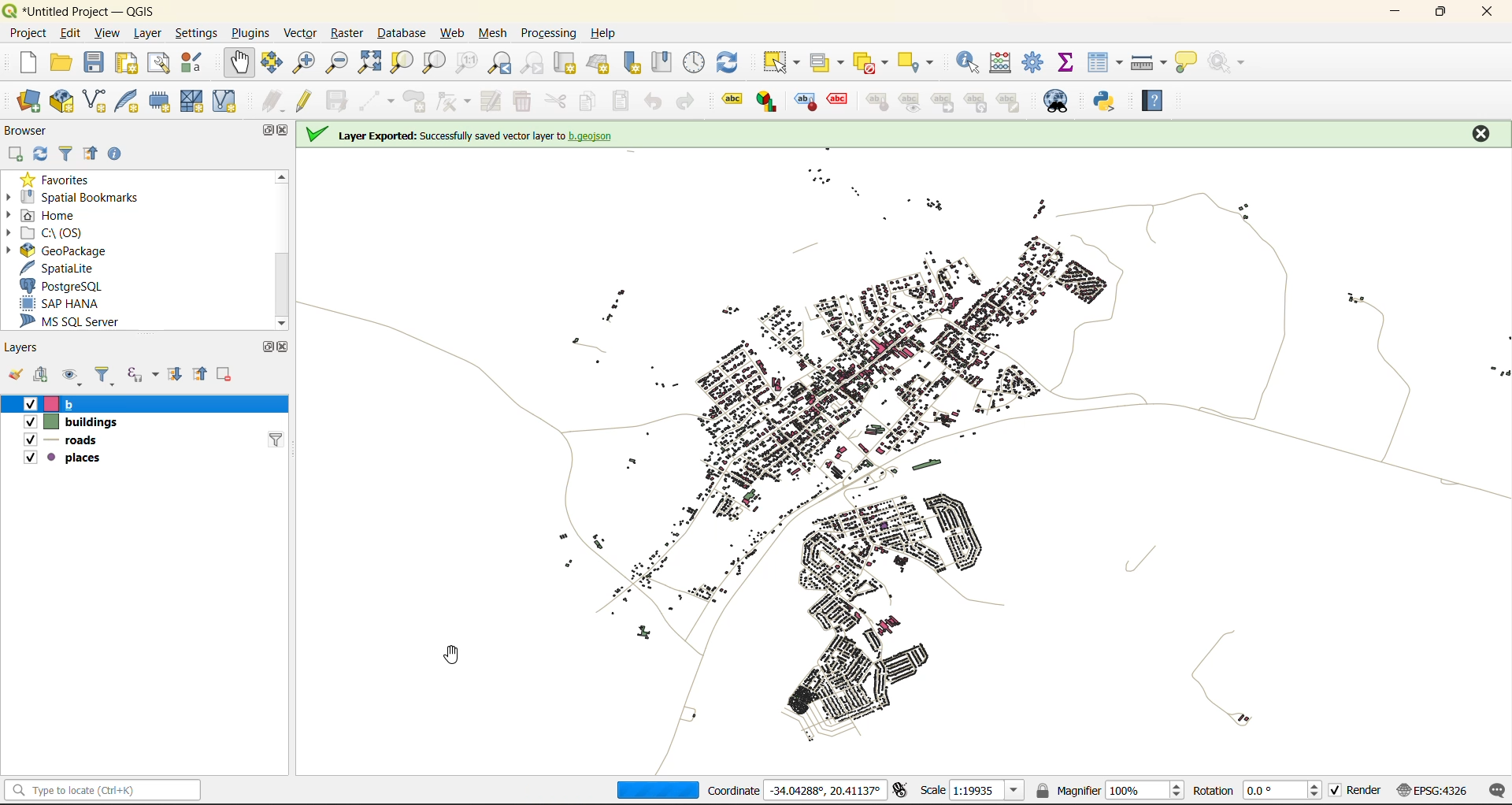  I want to click on favorites, so click(65, 180).